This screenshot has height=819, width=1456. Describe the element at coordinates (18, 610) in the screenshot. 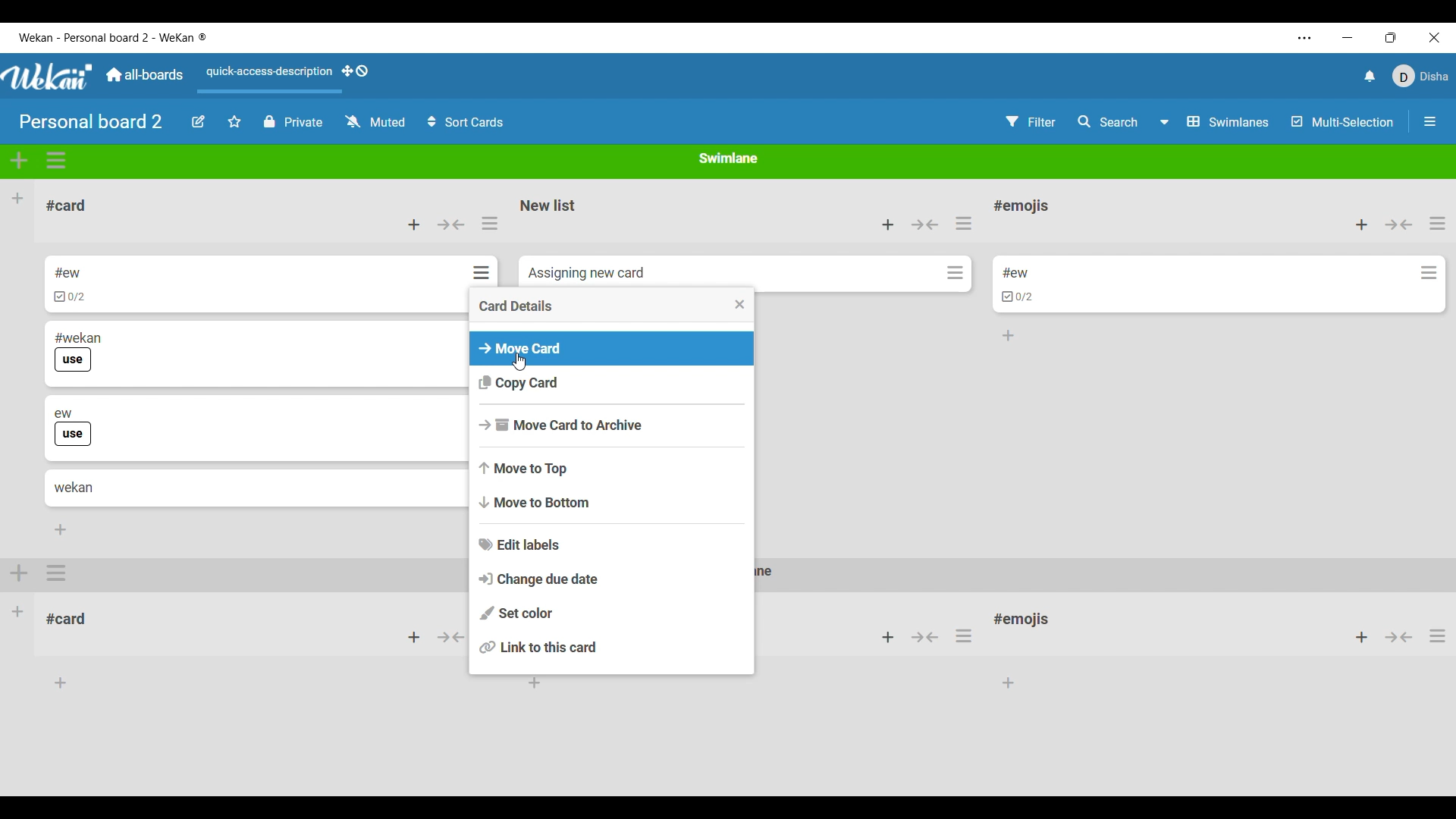

I see `Other Swimlane in the board` at that location.